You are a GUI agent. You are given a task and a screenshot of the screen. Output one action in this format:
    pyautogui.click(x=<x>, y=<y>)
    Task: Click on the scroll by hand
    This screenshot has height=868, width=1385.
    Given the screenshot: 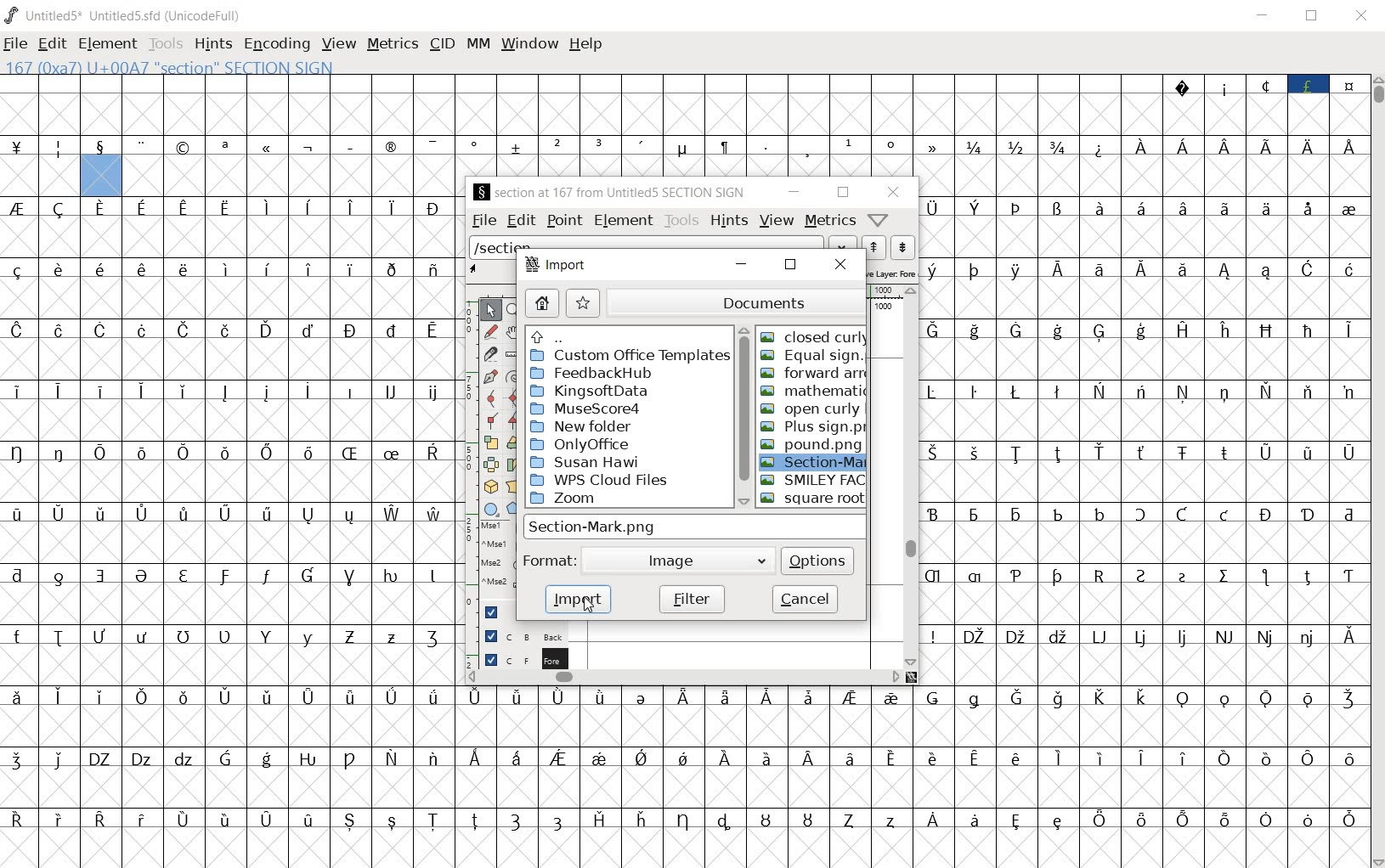 What is the action you would take?
    pyautogui.click(x=514, y=330)
    